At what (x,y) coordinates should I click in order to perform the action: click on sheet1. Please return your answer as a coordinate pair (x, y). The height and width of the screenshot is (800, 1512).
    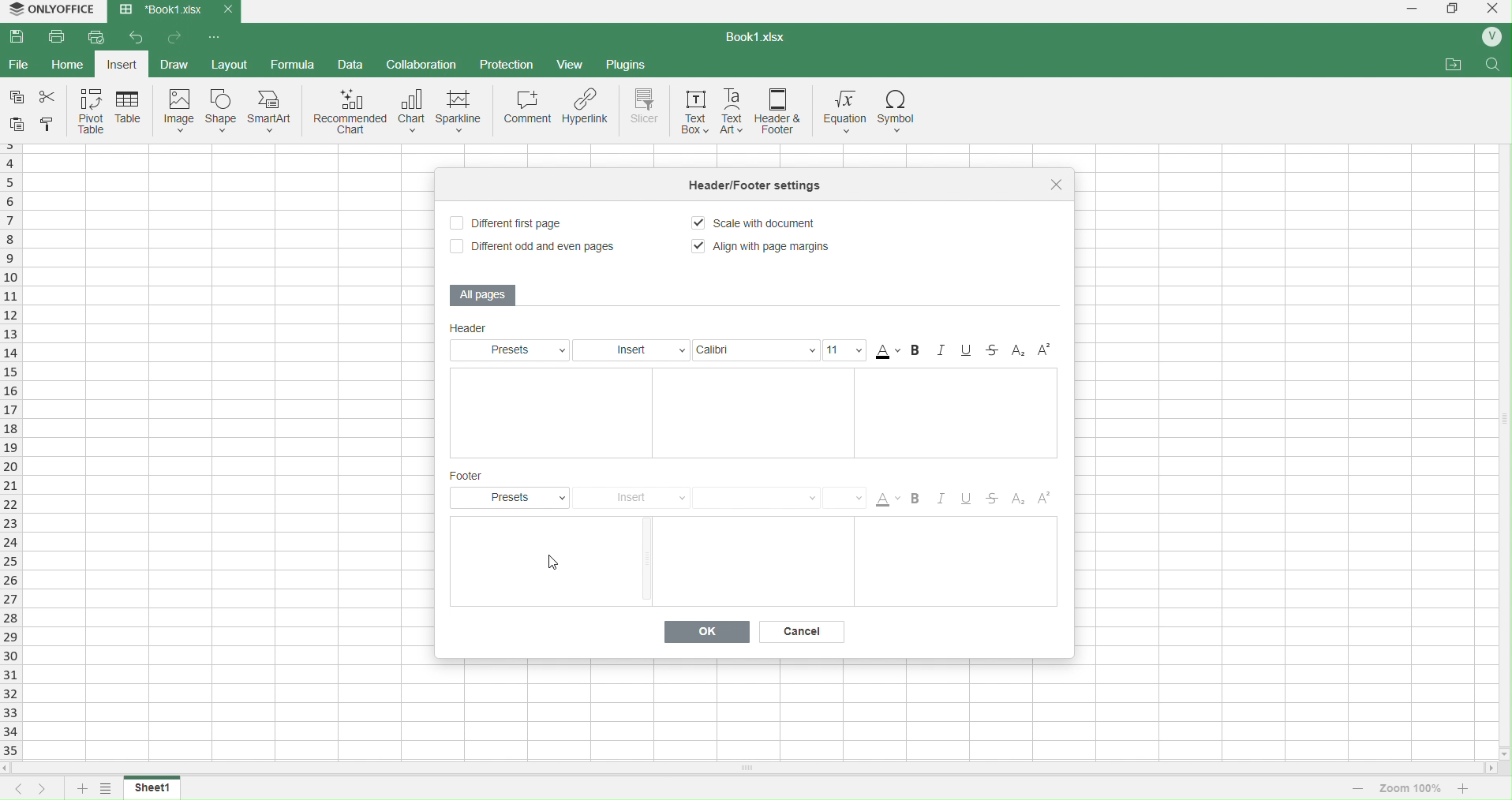
    Looking at the image, I should click on (154, 787).